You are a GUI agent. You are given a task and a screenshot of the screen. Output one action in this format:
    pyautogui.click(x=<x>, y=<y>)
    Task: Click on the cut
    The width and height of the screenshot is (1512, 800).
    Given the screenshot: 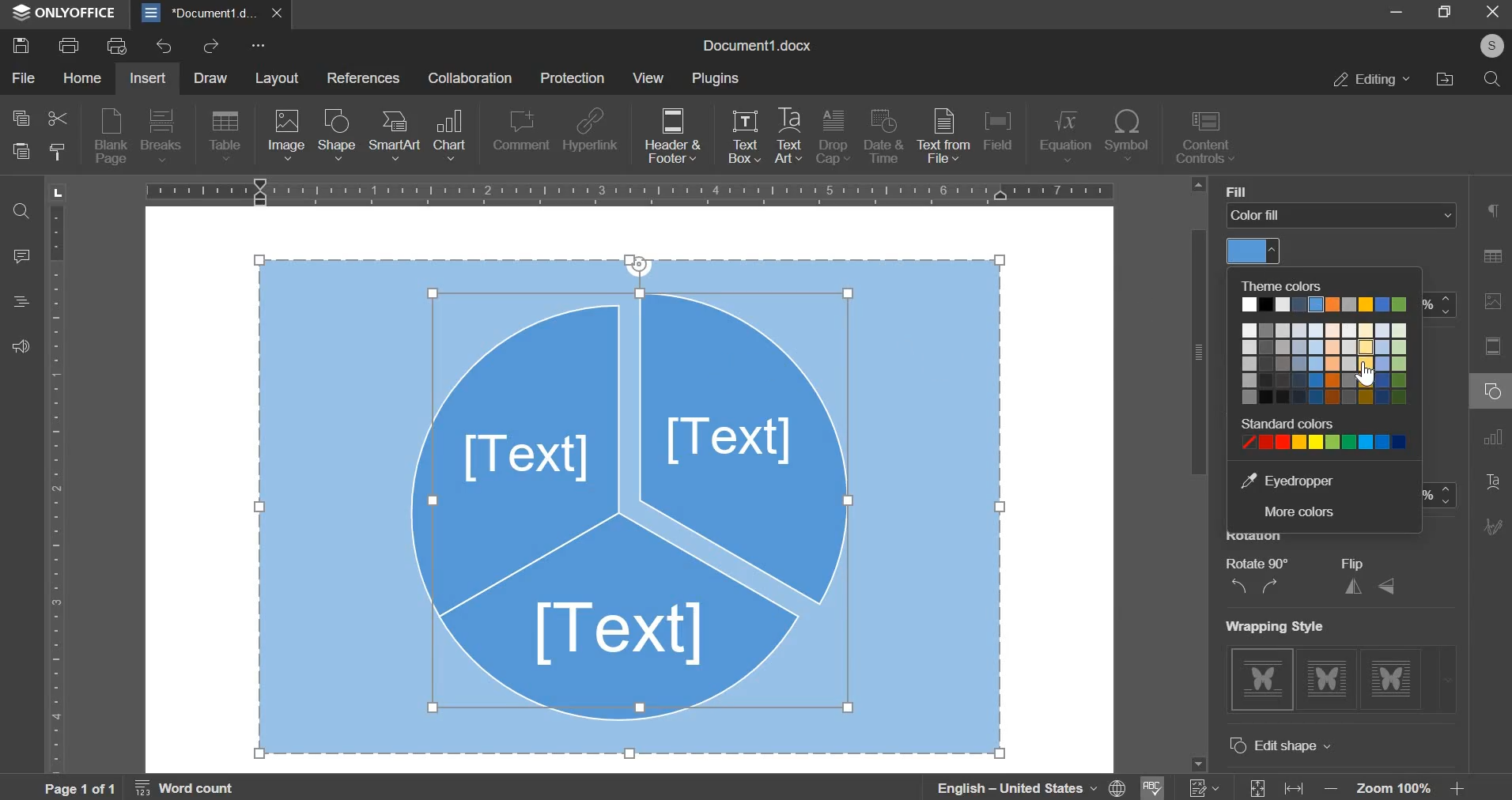 What is the action you would take?
    pyautogui.click(x=58, y=121)
    